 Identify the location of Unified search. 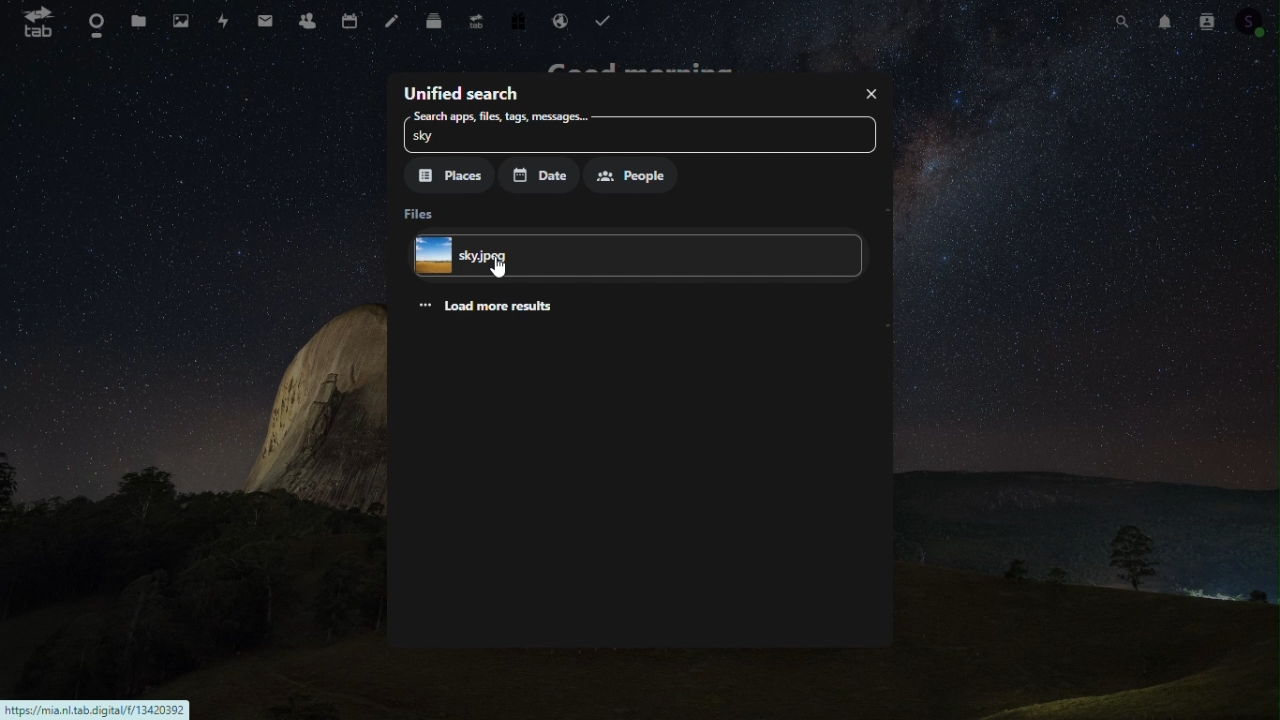
(462, 91).